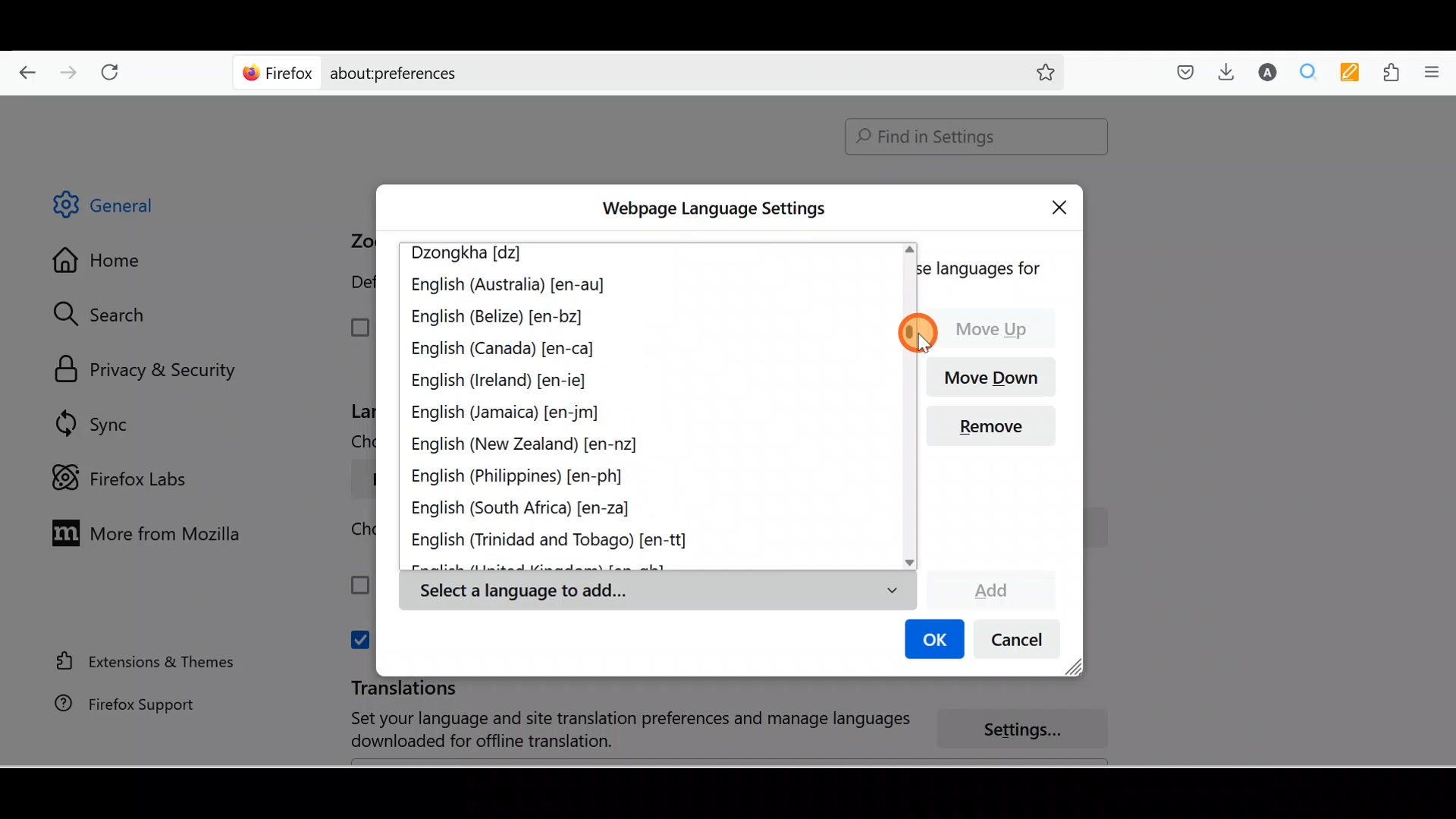 The height and width of the screenshot is (819, 1456). I want to click on English (Ireland) [en-ie], so click(504, 378).